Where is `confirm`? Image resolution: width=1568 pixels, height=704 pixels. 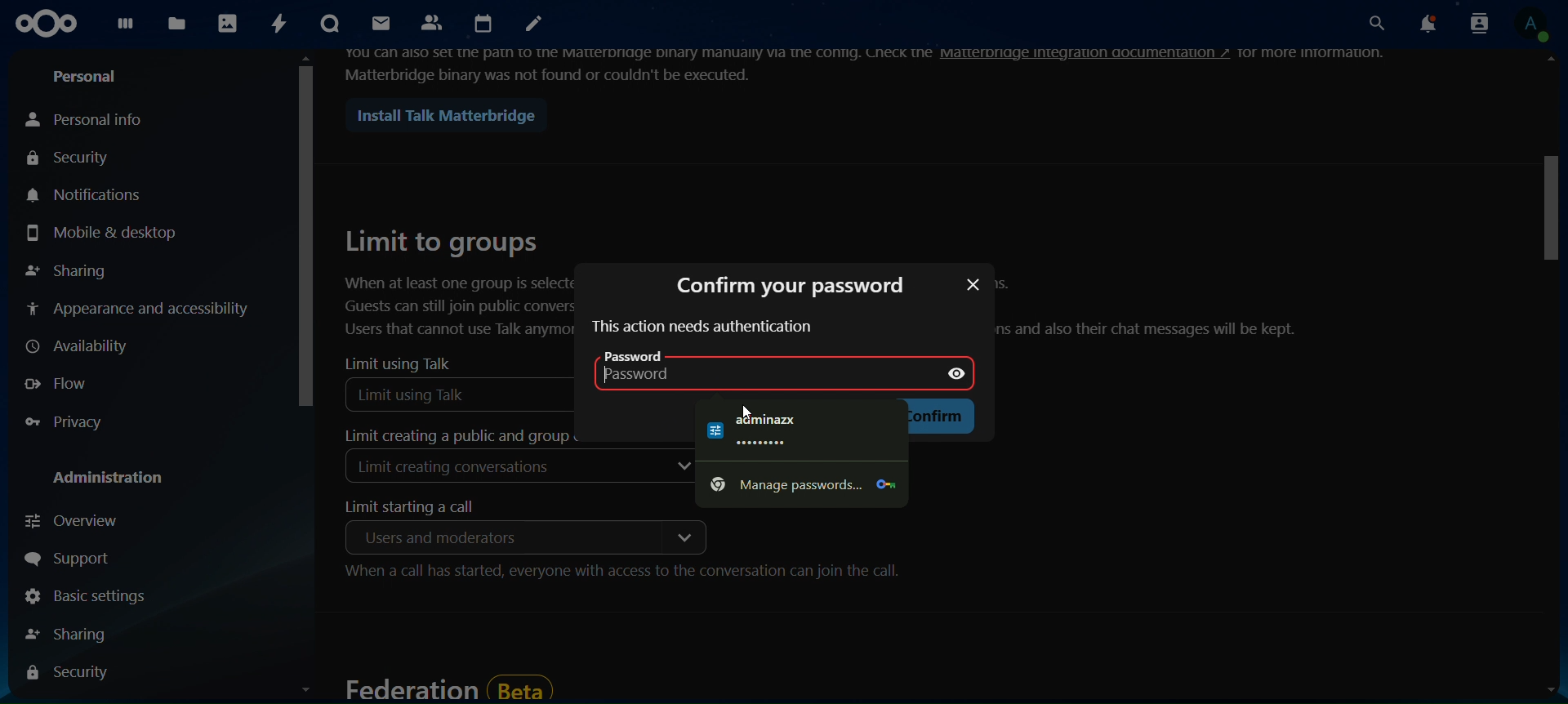
confirm is located at coordinates (937, 417).